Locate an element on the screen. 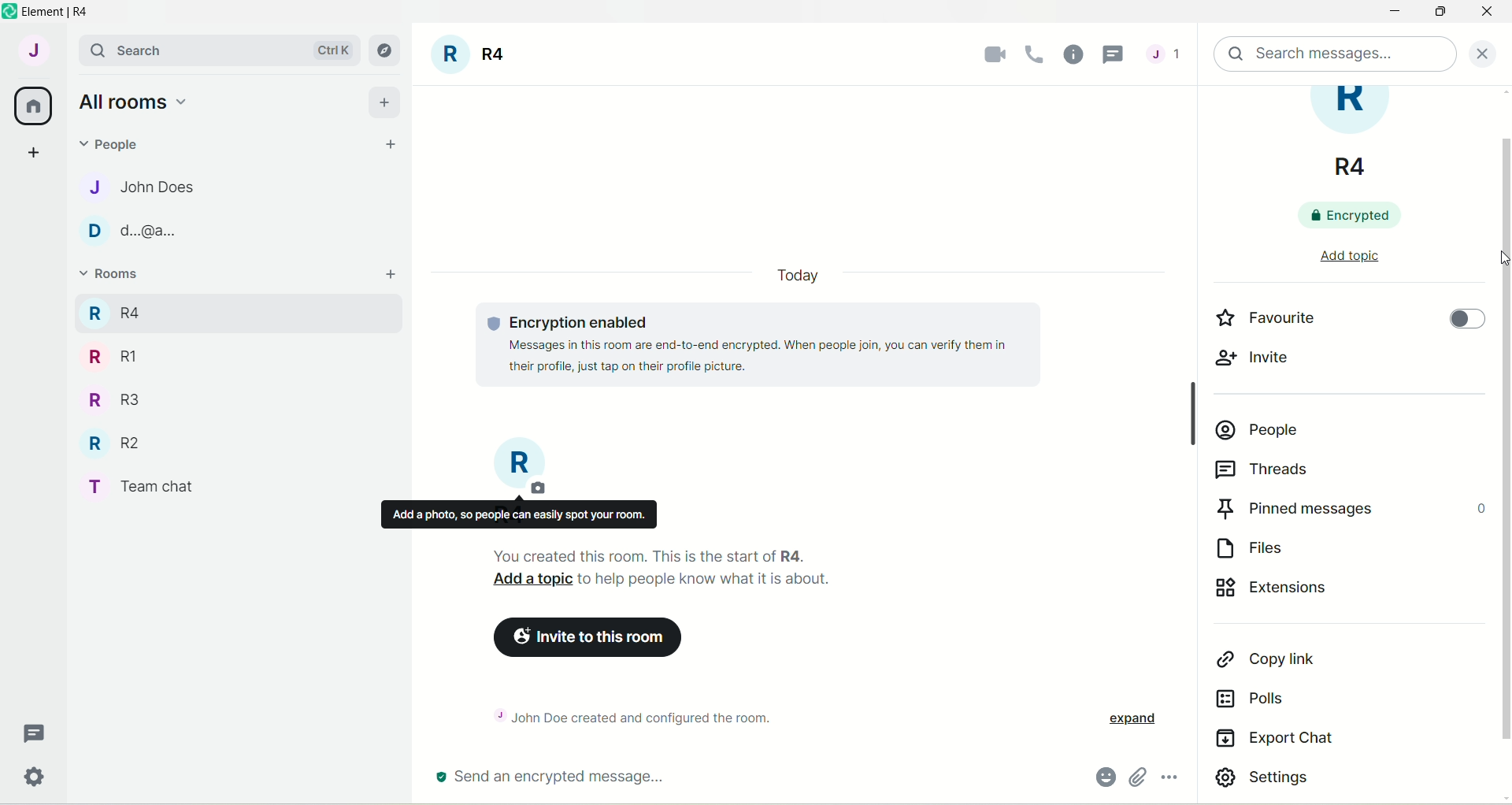 Image resolution: width=1512 pixels, height=805 pixels. video call is located at coordinates (991, 54).